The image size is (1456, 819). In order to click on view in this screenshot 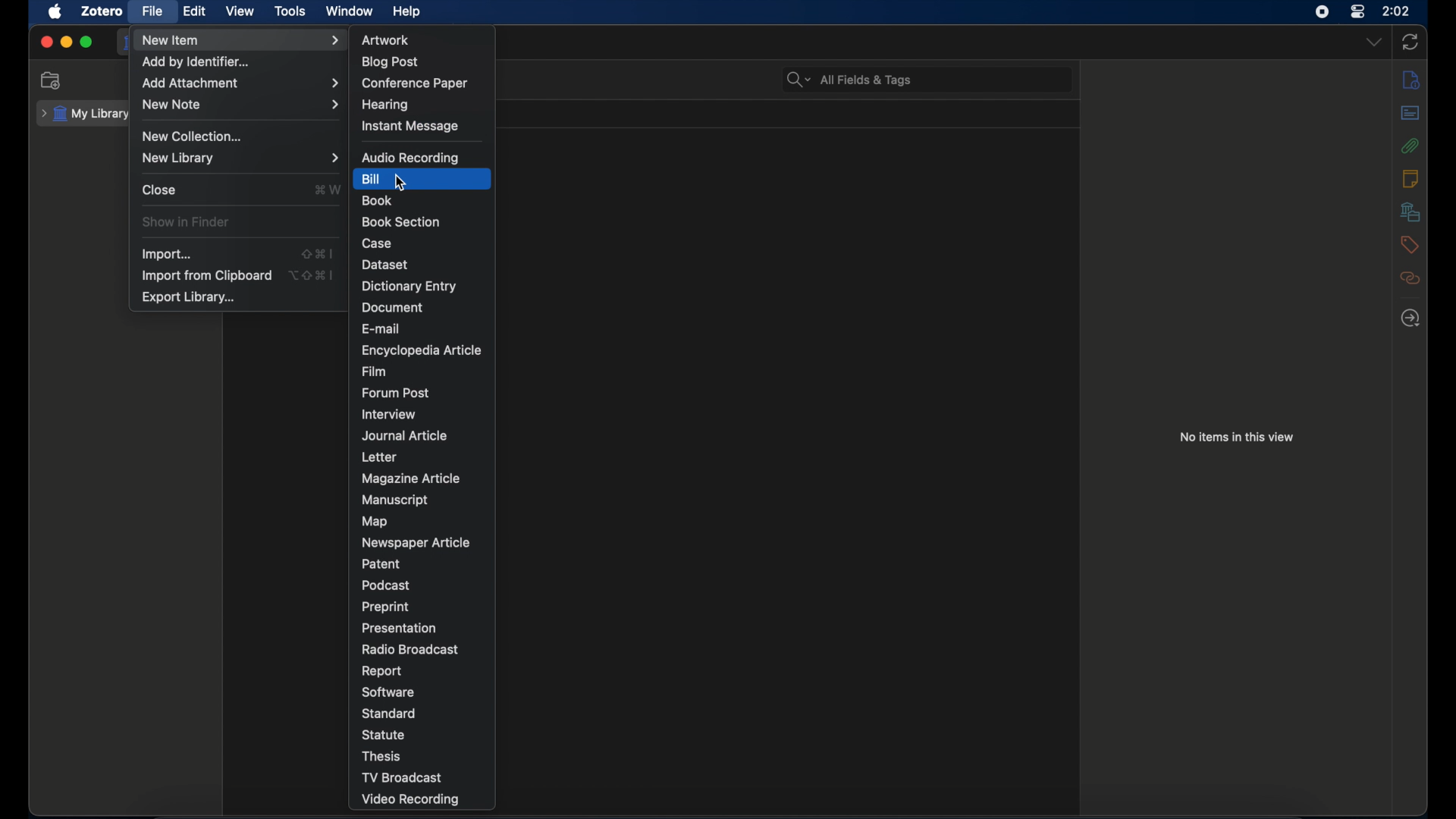, I will do `click(241, 11)`.